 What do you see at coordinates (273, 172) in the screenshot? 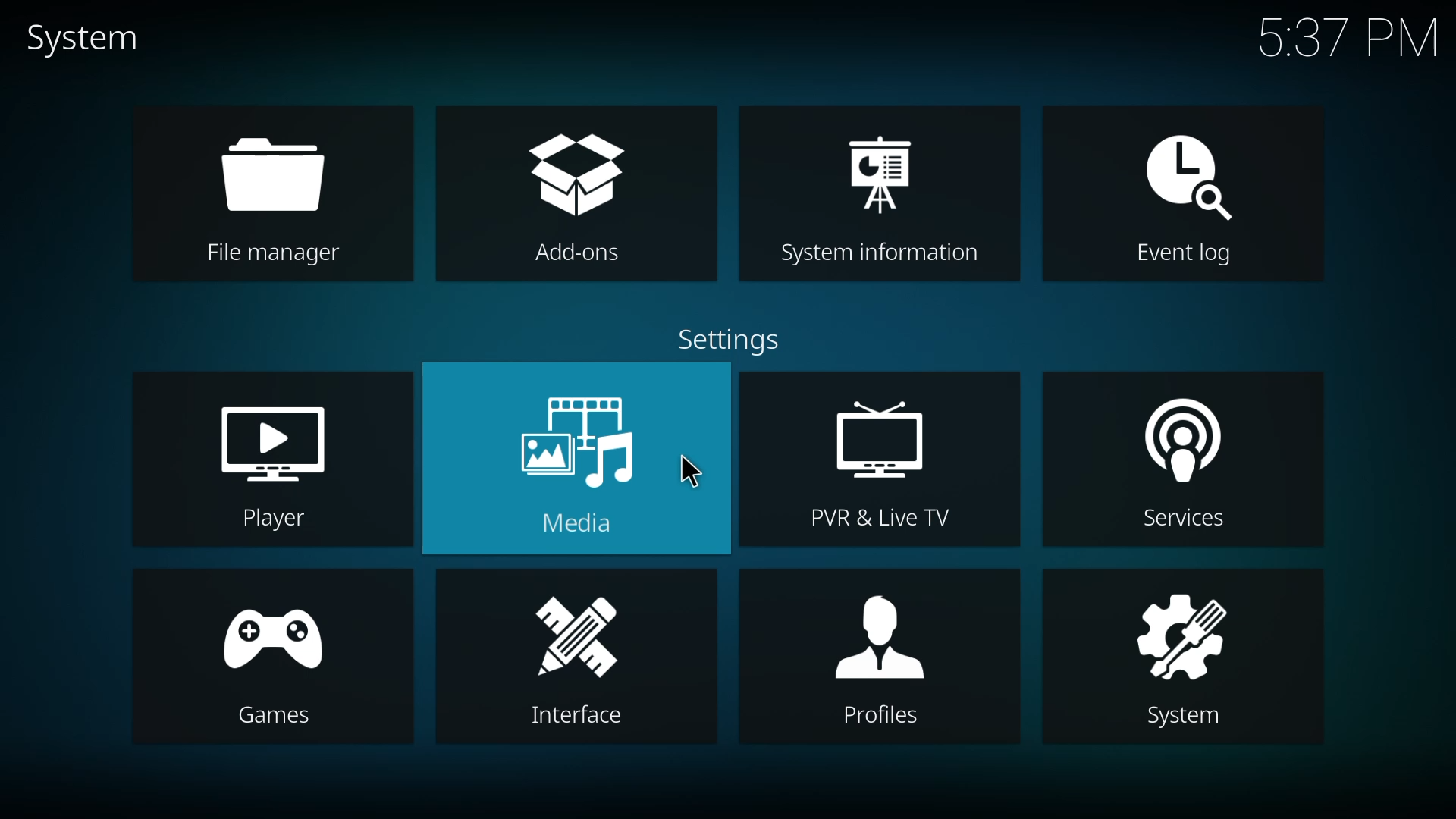
I see `file manager` at bounding box center [273, 172].